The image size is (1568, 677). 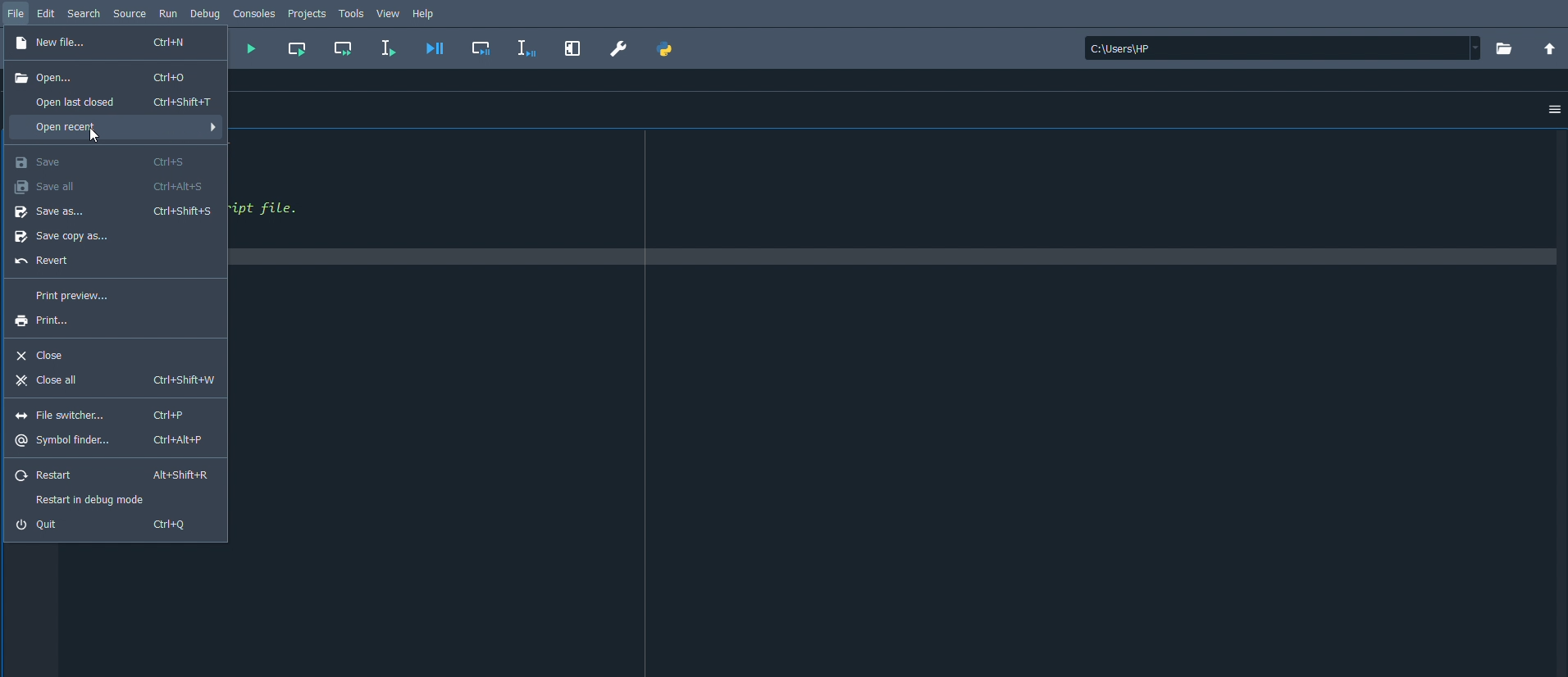 I want to click on Debug file, so click(x=435, y=48).